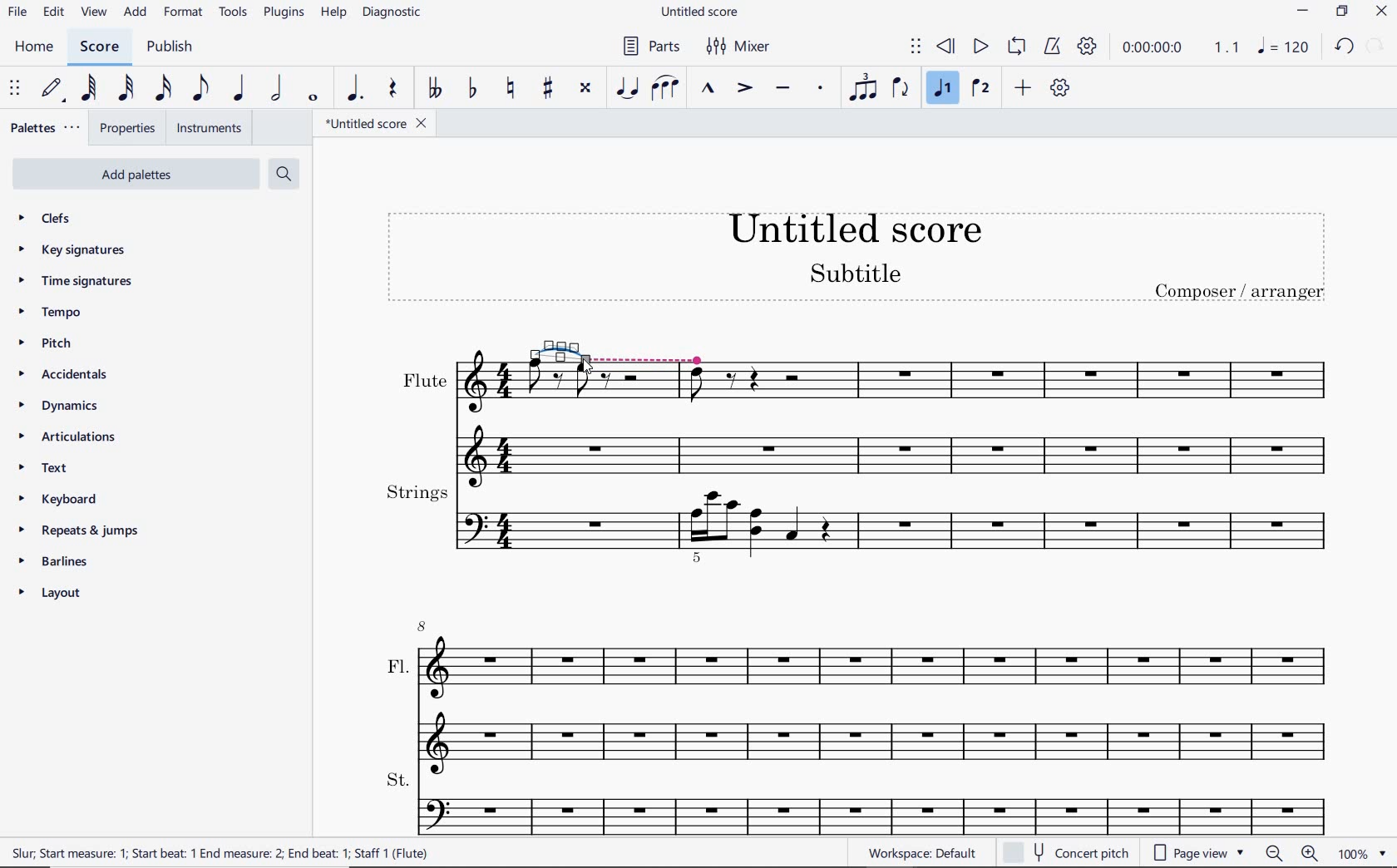 Image resolution: width=1397 pixels, height=868 pixels. Describe the element at coordinates (234, 12) in the screenshot. I see `tools` at that location.